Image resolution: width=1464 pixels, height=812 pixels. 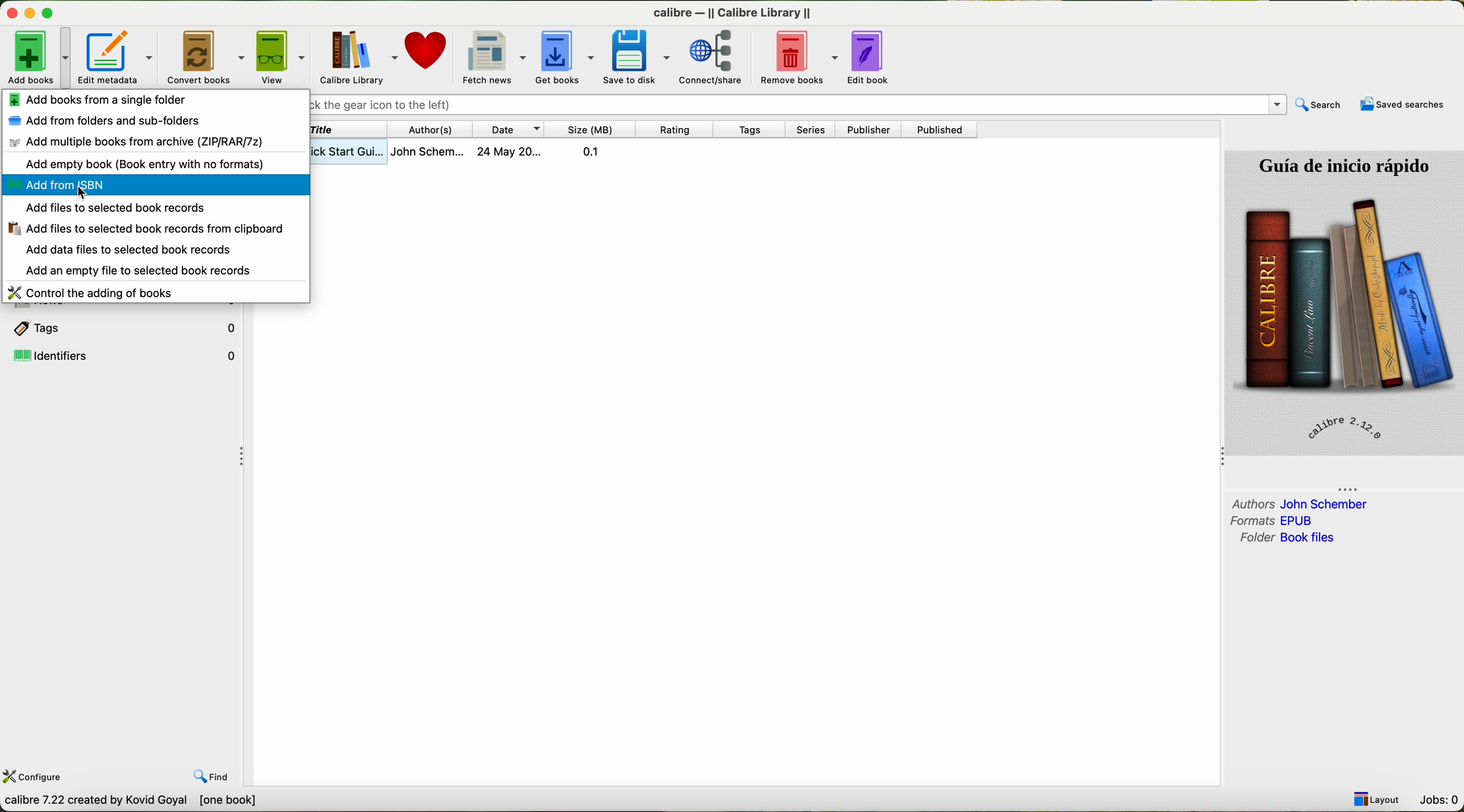 What do you see at coordinates (155, 188) in the screenshot?
I see `click on add from ISBN` at bounding box center [155, 188].